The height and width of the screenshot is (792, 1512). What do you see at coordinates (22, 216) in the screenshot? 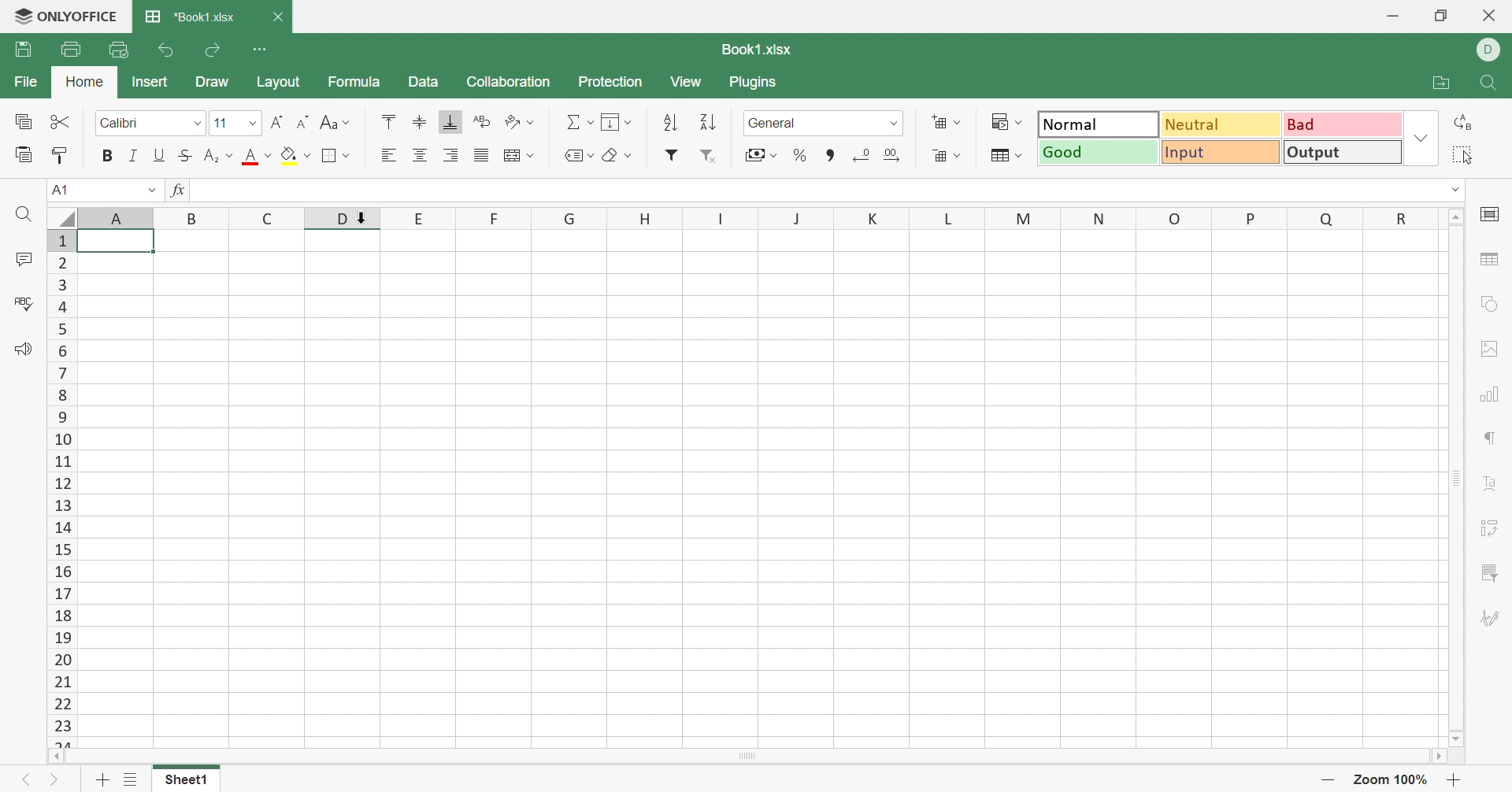
I see `Find` at bounding box center [22, 216].